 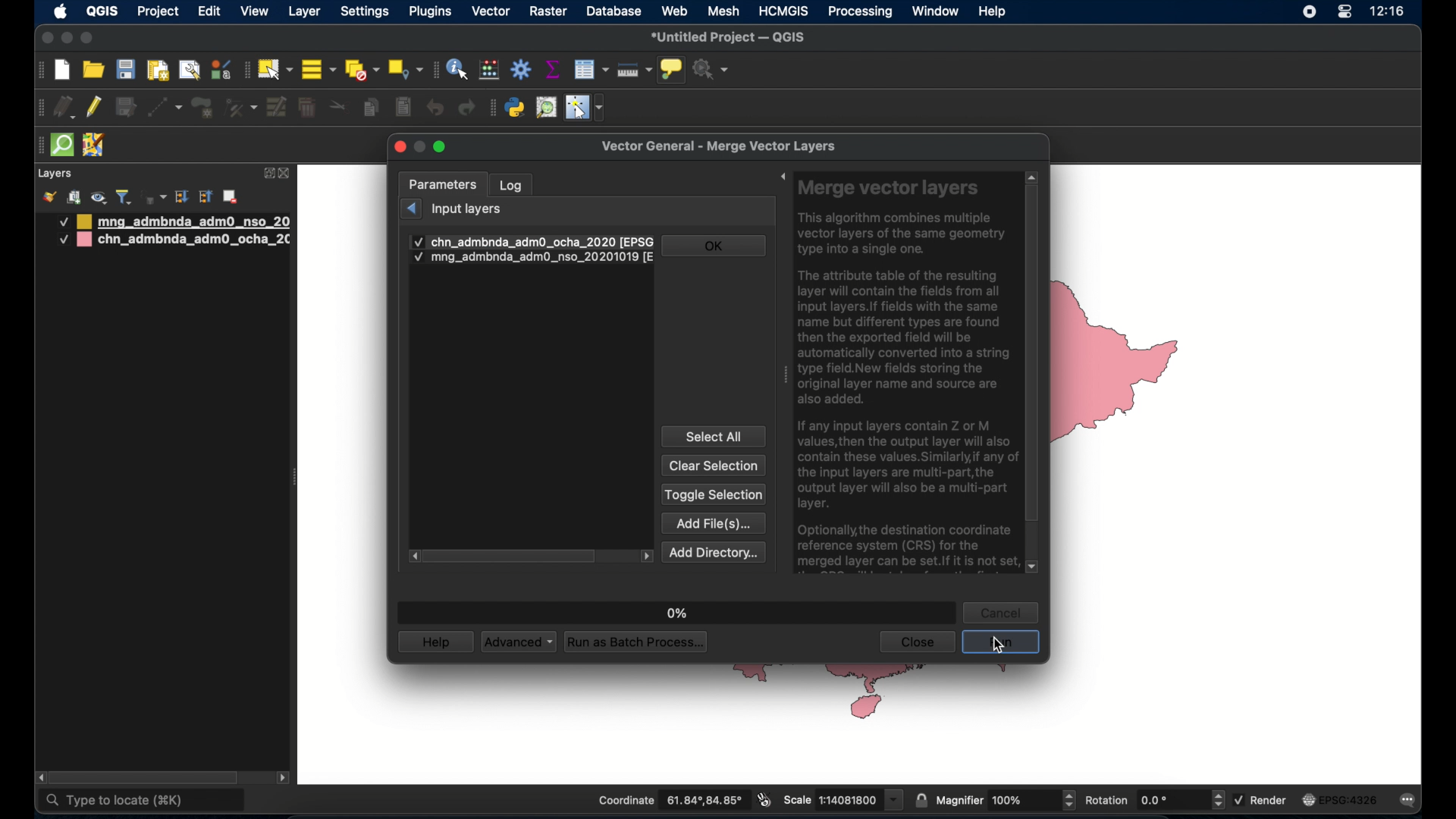 I want to click on Merge vector layers

This algorithm combines multiple
vector layers of the same geometry
type into a single one.

The attribute table of the resulting
layer will contain the fields from all
input layers. If fields with the same
name but different types are found
then the exported field will be
automatically converted into a string
type field.New fields storing the
original layer name and source are
also added.

If any input layers contain Z or M
values, then the output layer will also
contain these values. Similarly,if any of
the input layers are multi-part,the
output layer will also be a multi-part
layer.

Optionally, the destination coordinate
reference system (CRS) for the
merged layer can be set.If it is not set, so click(x=905, y=374).